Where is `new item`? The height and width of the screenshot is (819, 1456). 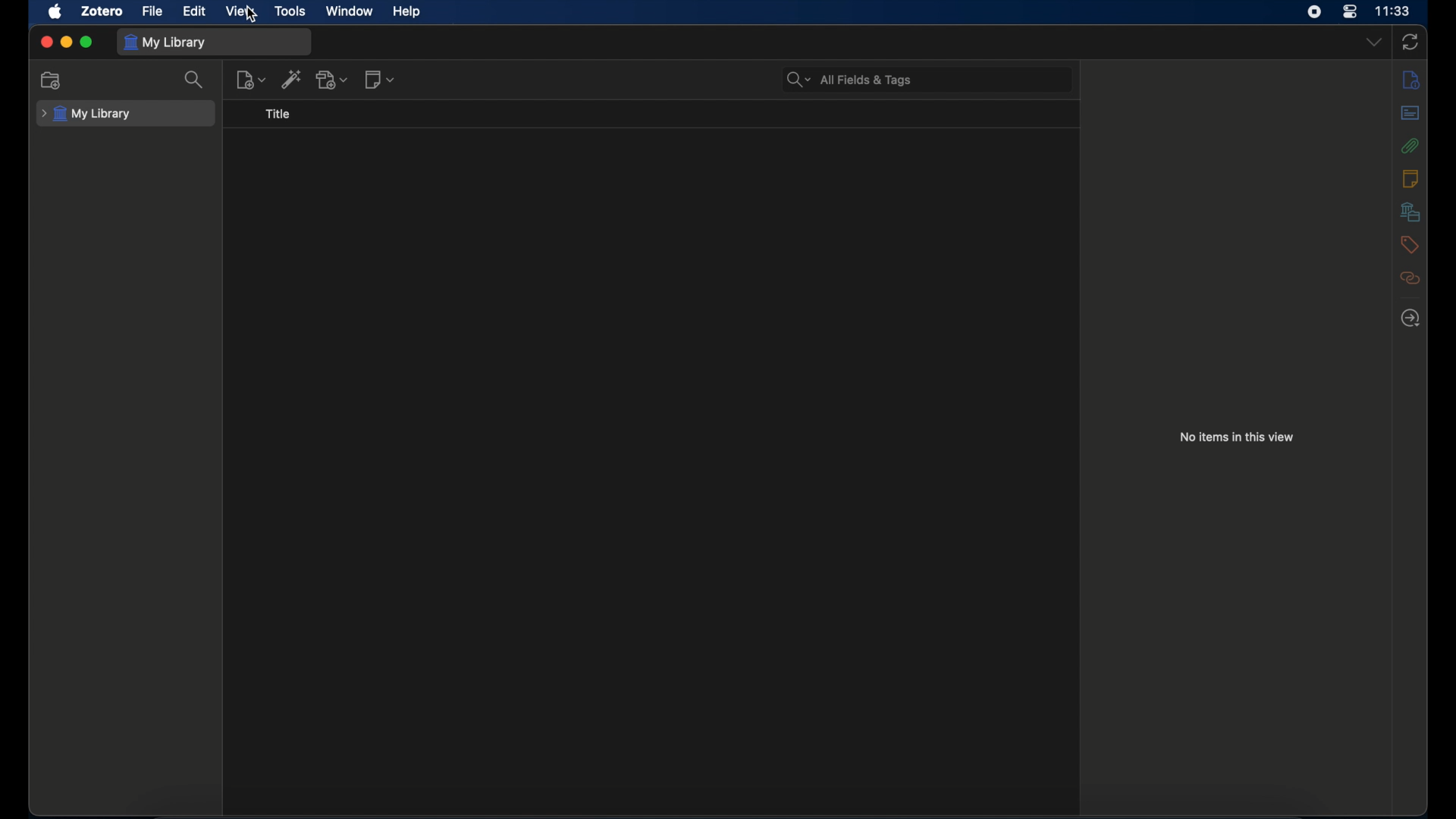
new item is located at coordinates (251, 80).